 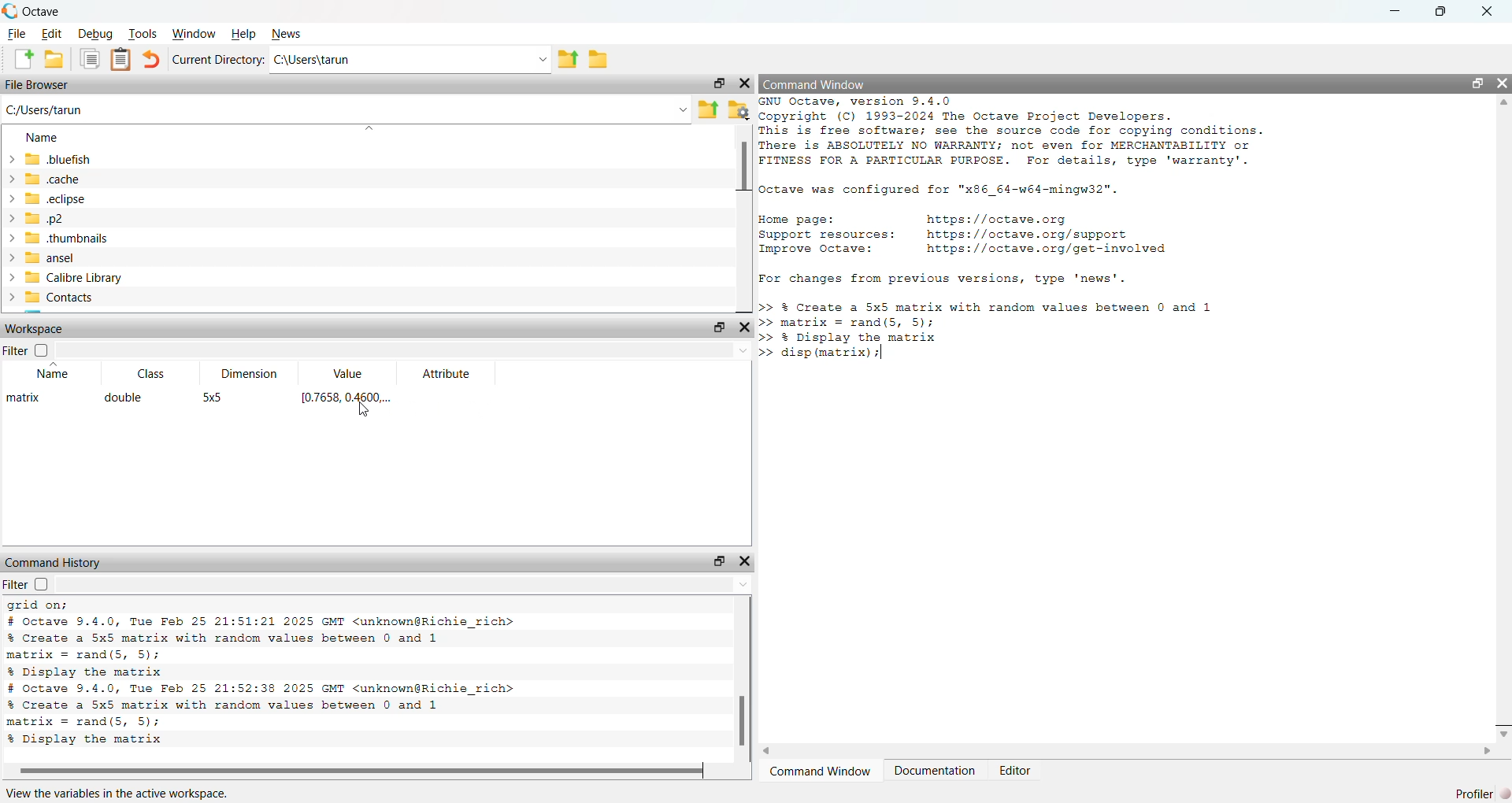 I want to click on ech, so click(x=46, y=200).